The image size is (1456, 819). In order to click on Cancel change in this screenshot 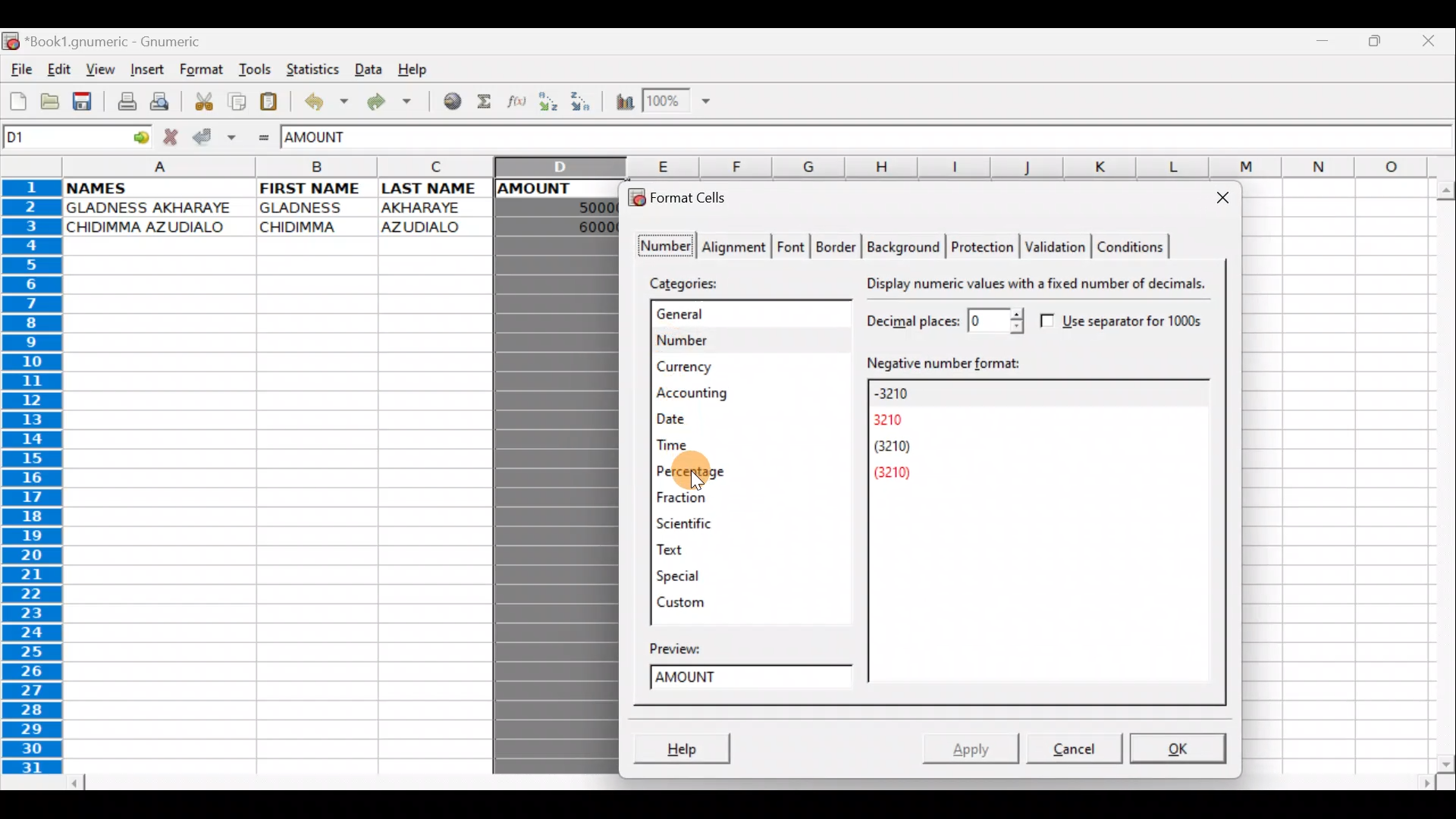, I will do `click(173, 136)`.